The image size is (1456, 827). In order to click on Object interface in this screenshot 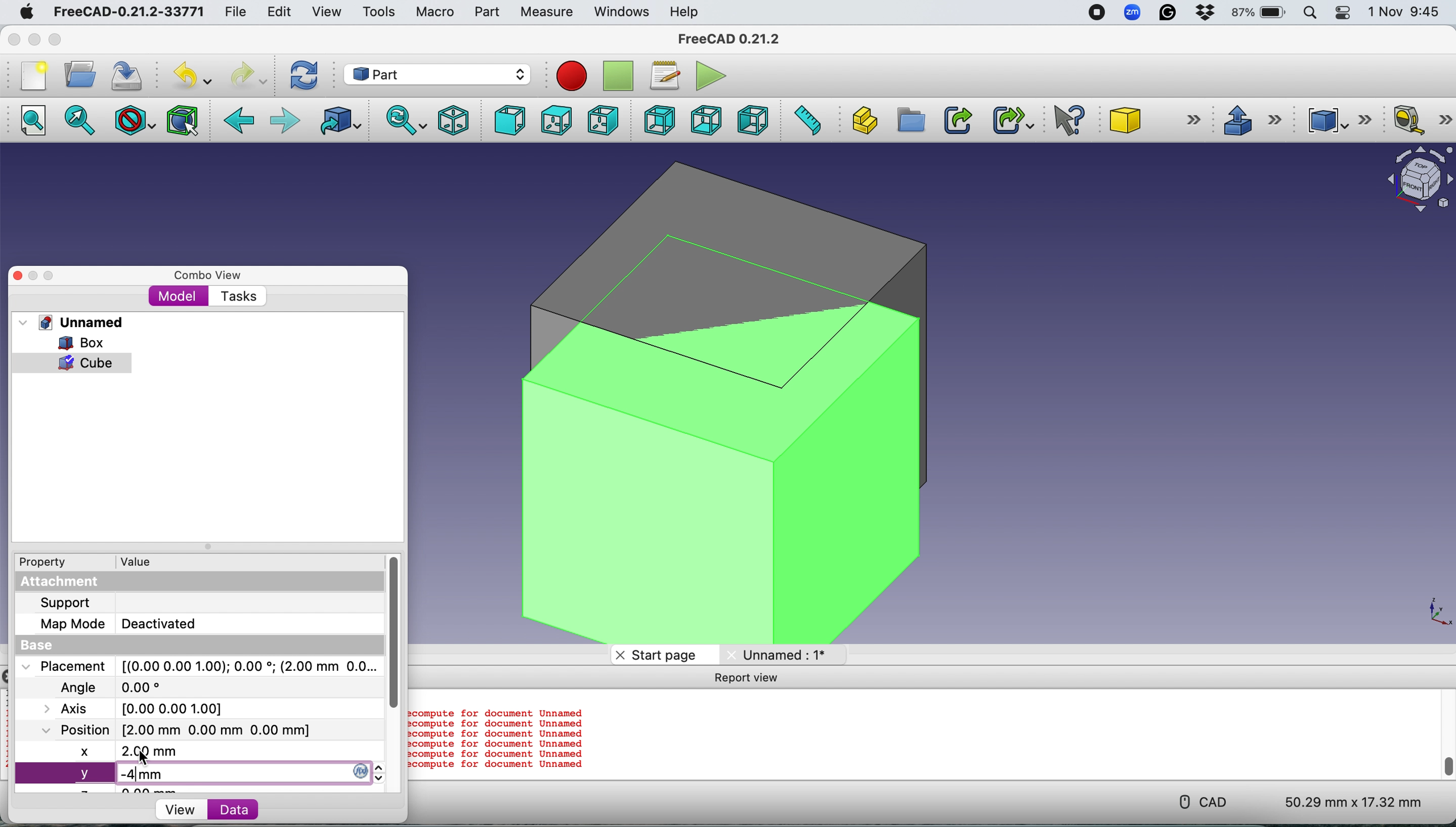, I will do `click(1414, 181)`.